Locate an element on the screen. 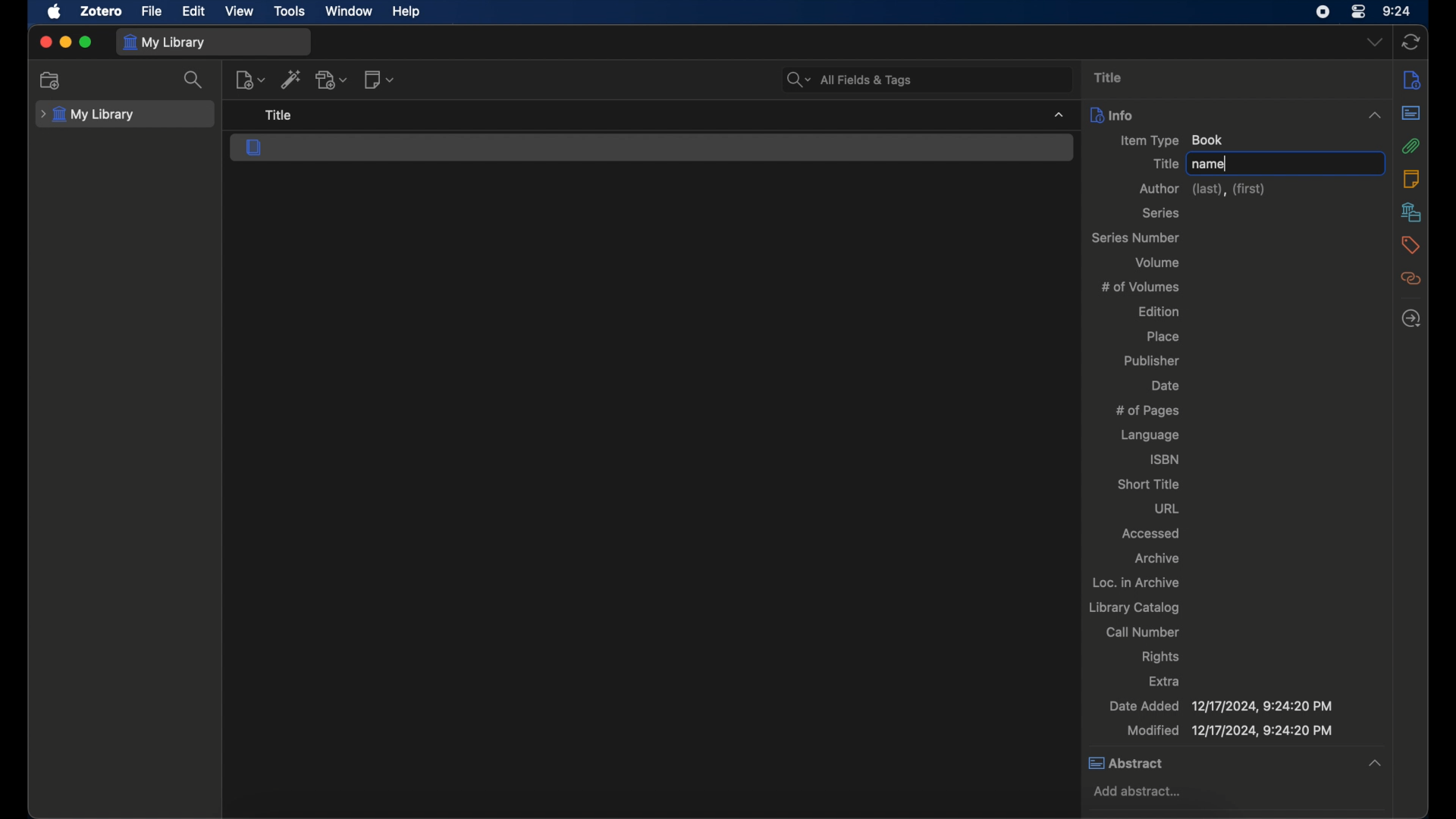 Image resolution: width=1456 pixels, height=819 pixels. abstract is located at coordinates (1125, 762).